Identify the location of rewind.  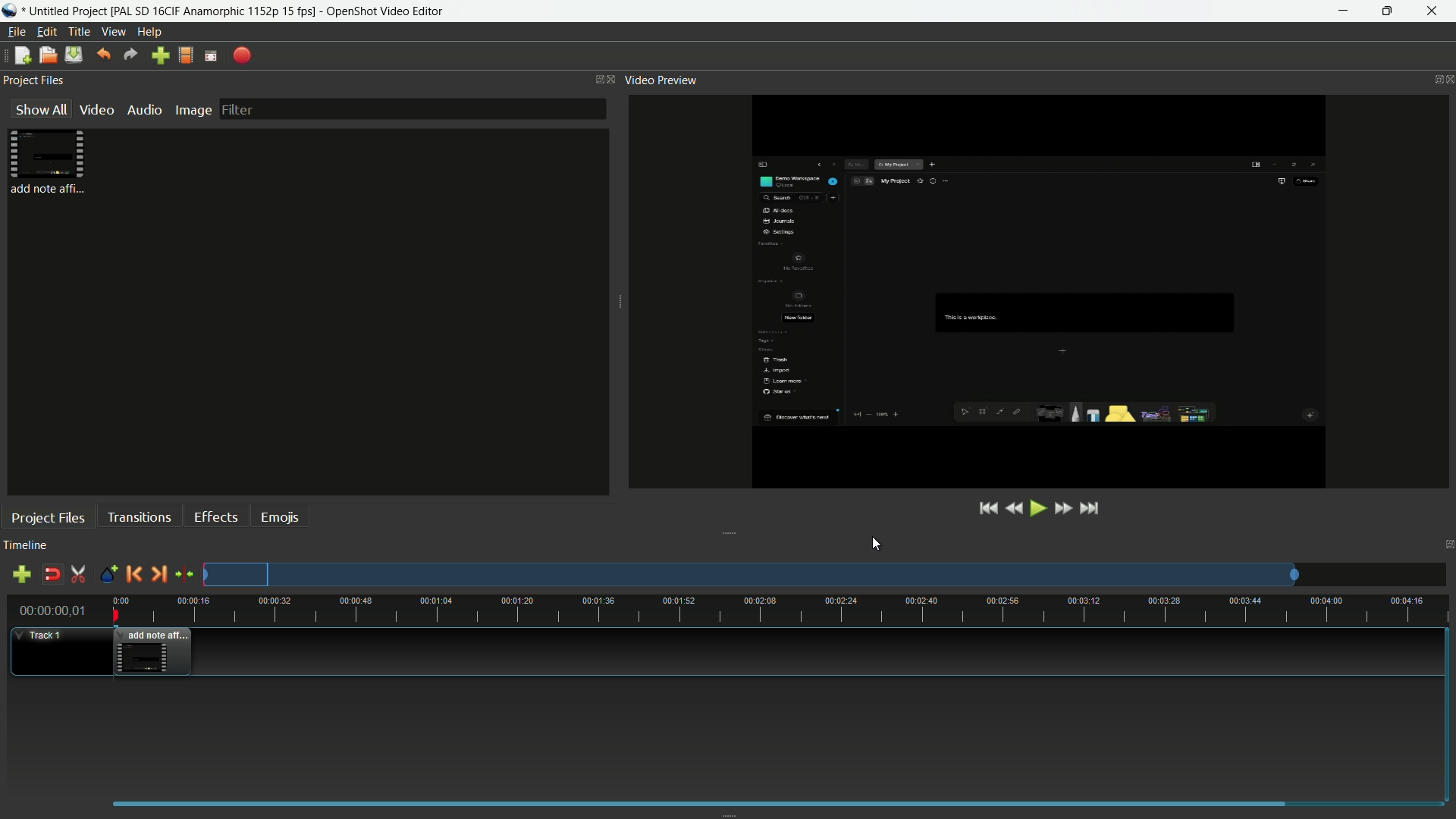
(1012, 508).